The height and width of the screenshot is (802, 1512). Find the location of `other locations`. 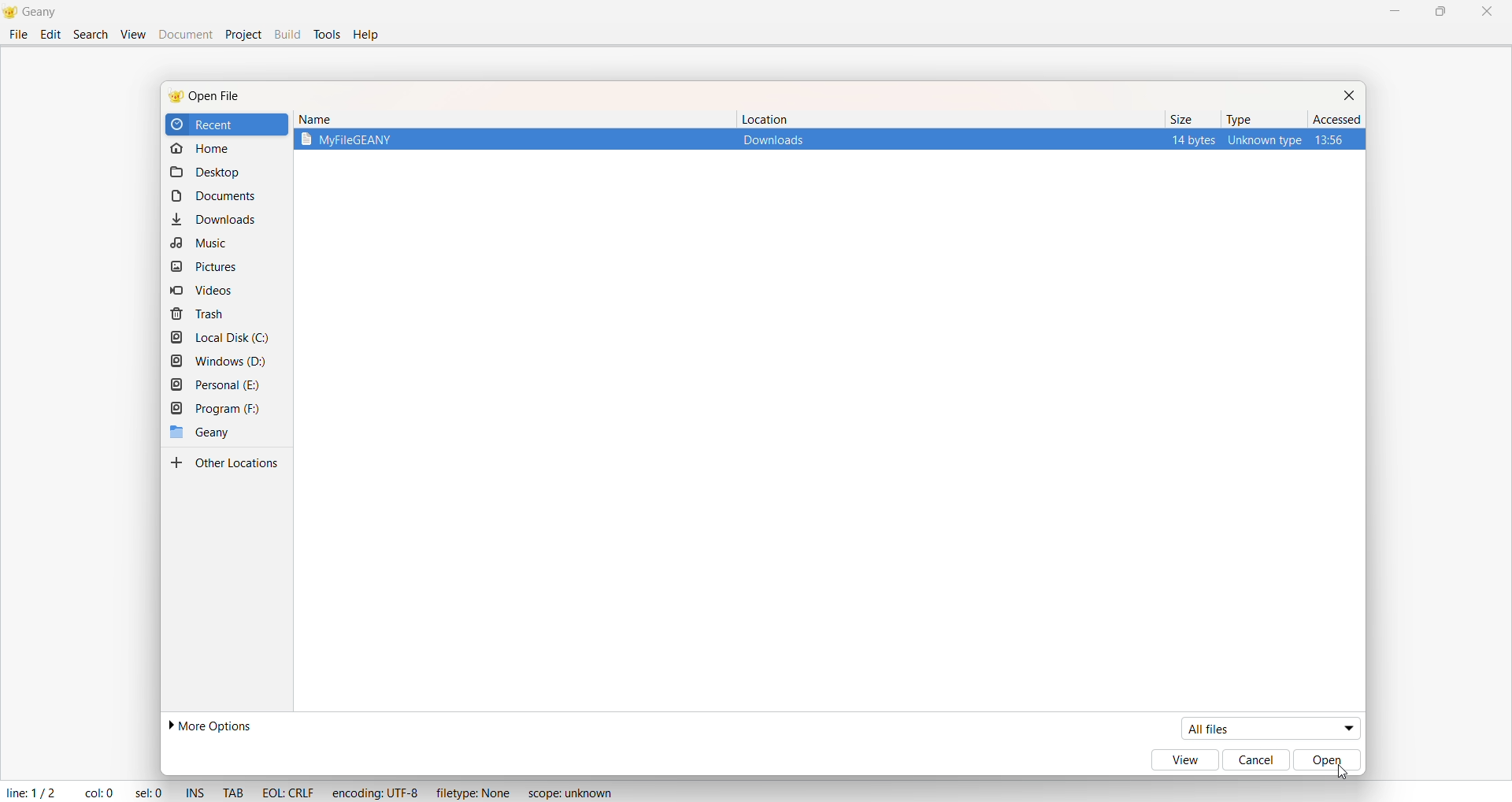

other locations is located at coordinates (228, 464).